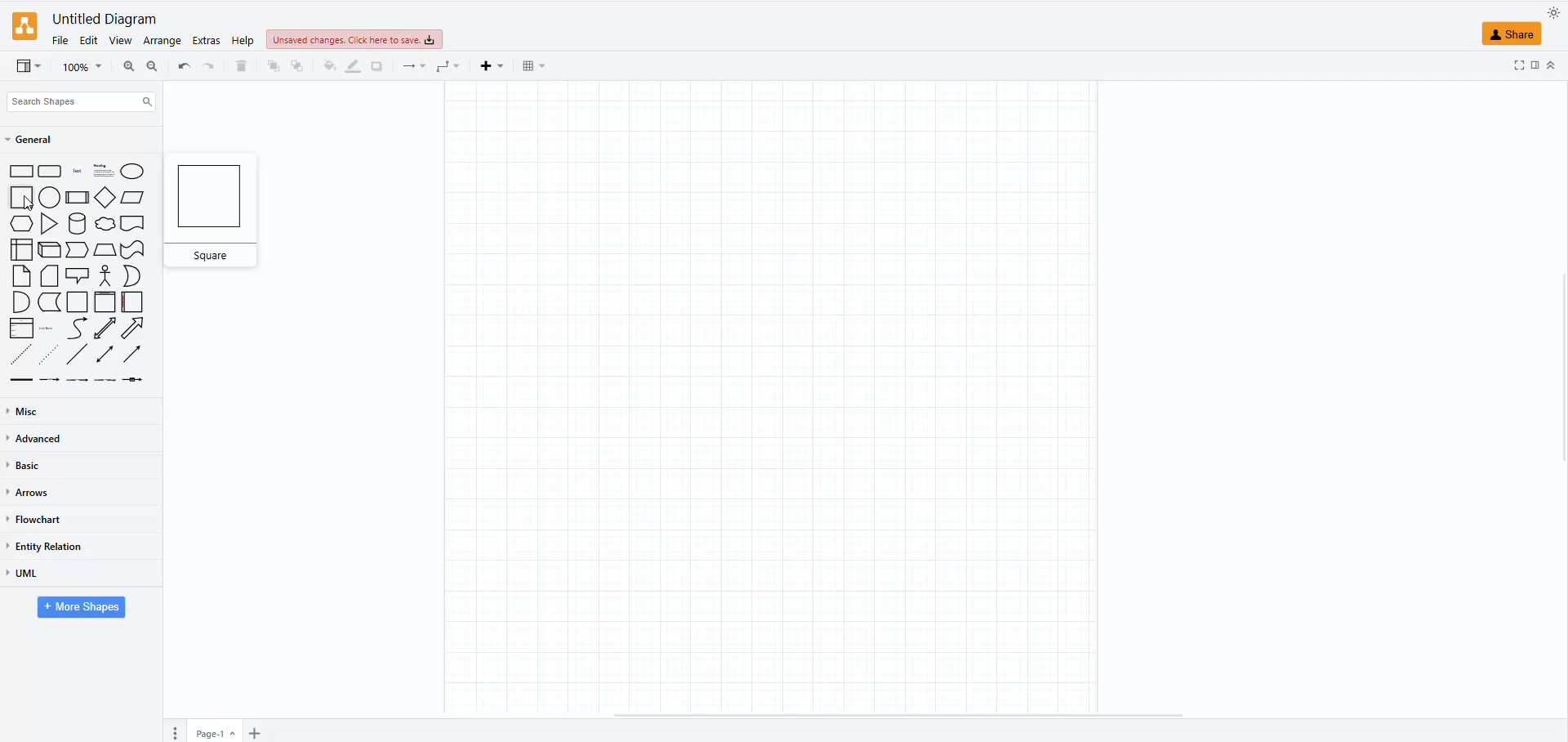 The height and width of the screenshot is (742, 1568). What do you see at coordinates (105, 275) in the screenshot?
I see `actor` at bounding box center [105, 275].